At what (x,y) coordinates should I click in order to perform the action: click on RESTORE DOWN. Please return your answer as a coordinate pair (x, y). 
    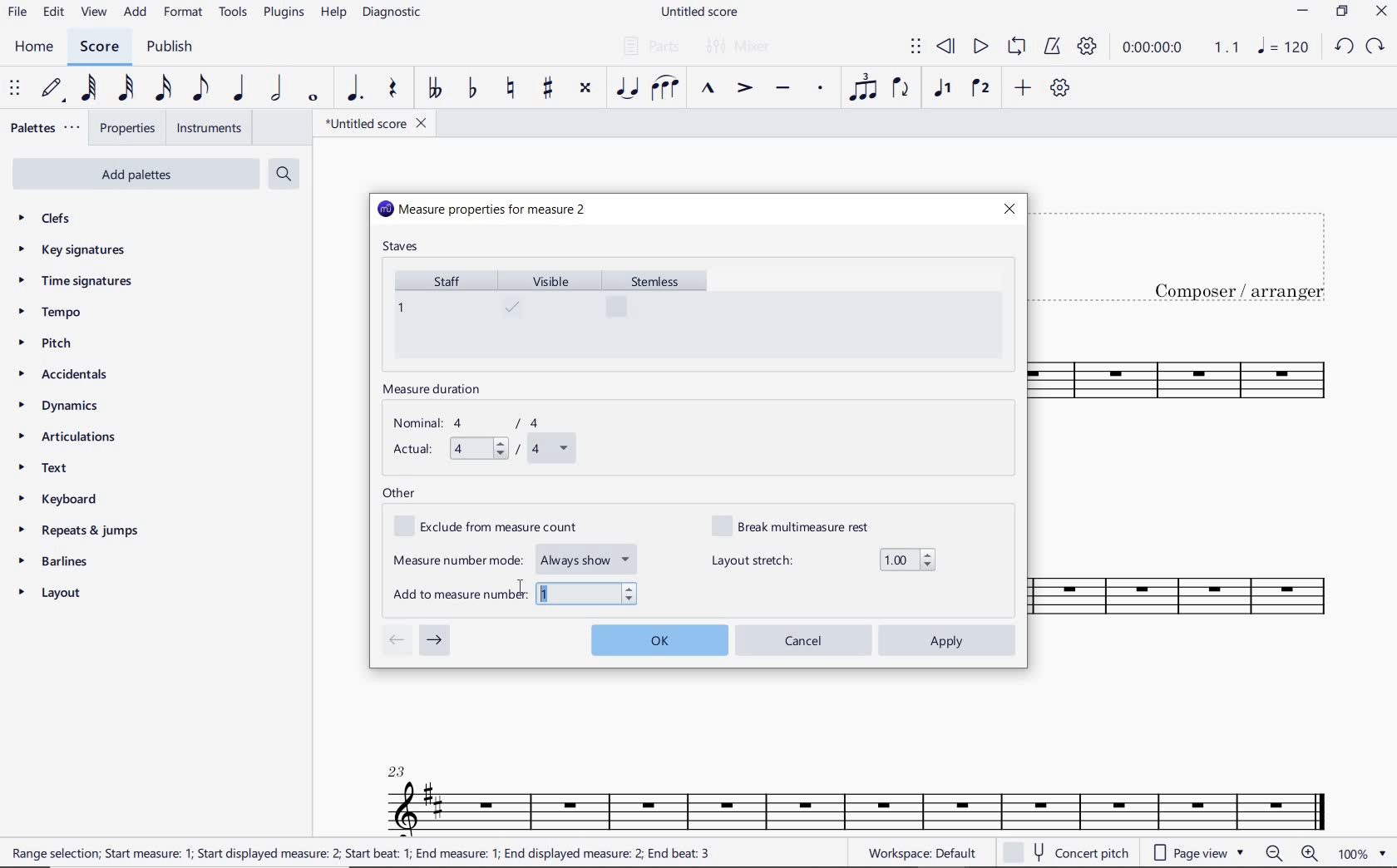
    Looking at the image, I should click on (1342, 13).